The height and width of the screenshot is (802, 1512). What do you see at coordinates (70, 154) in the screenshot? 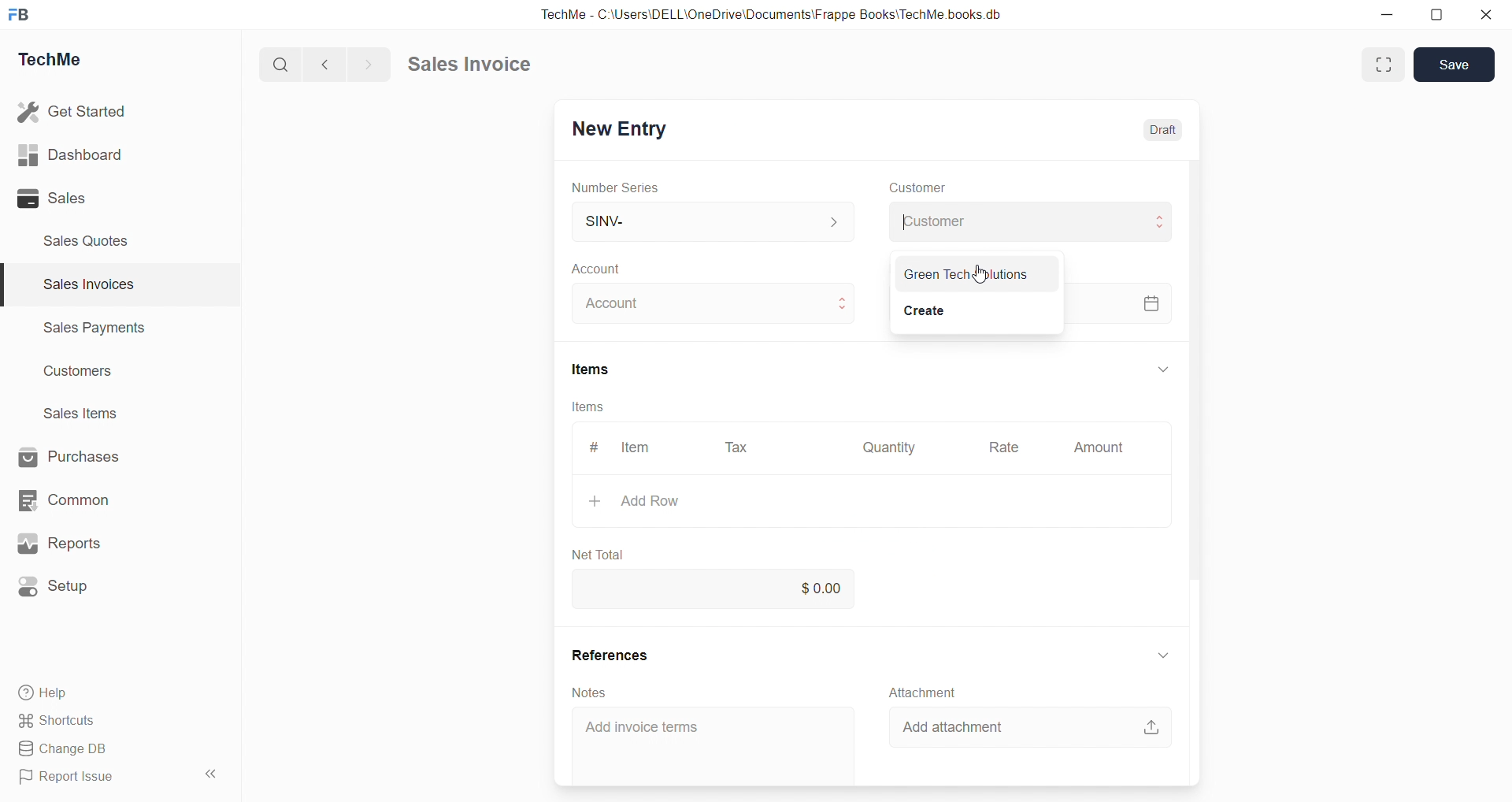
I see `Dashboard` at bounding box center [70, 154].